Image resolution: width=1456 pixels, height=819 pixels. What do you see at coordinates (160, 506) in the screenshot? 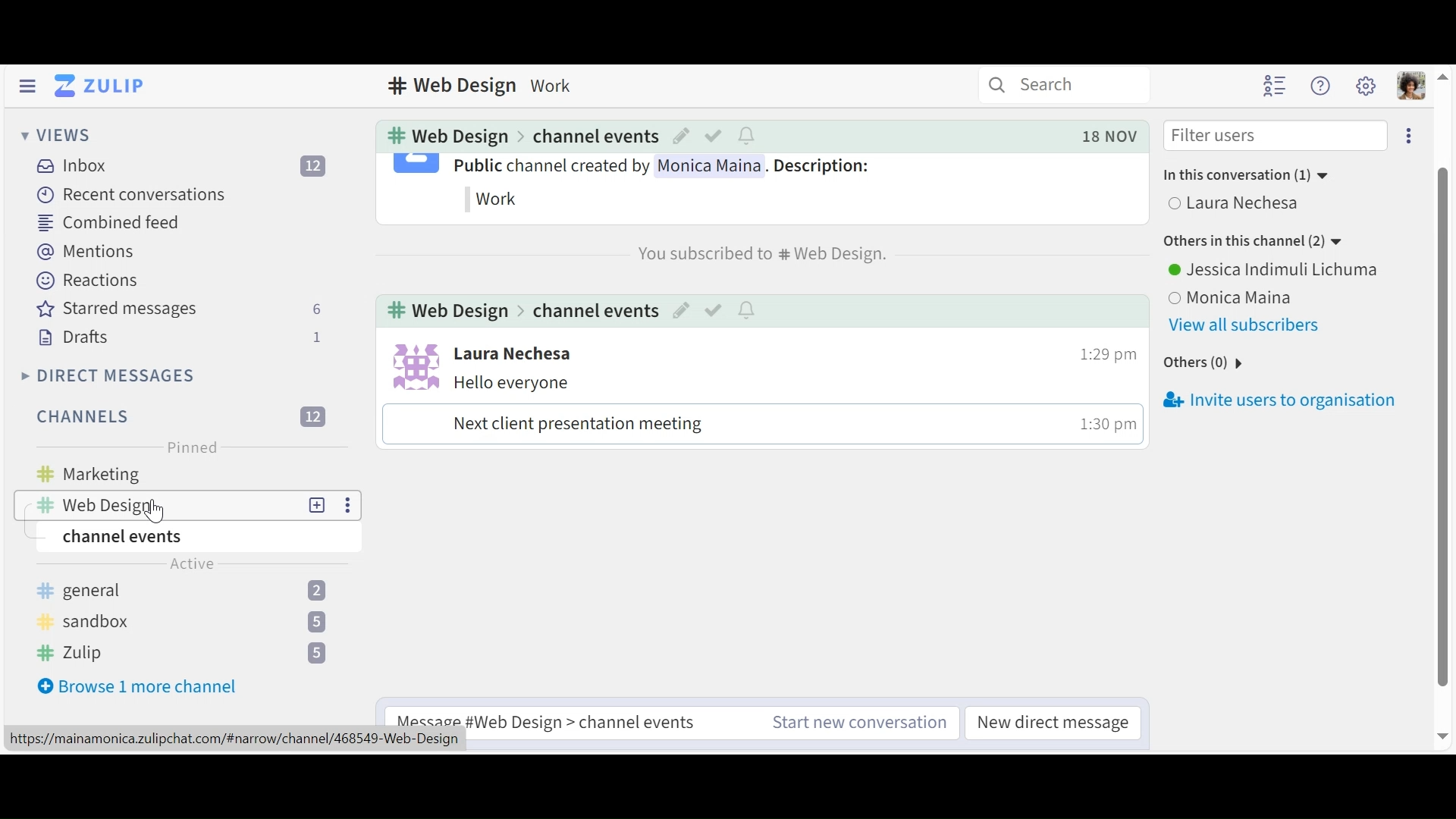
I see `web design` at bounding box center [160, 506].